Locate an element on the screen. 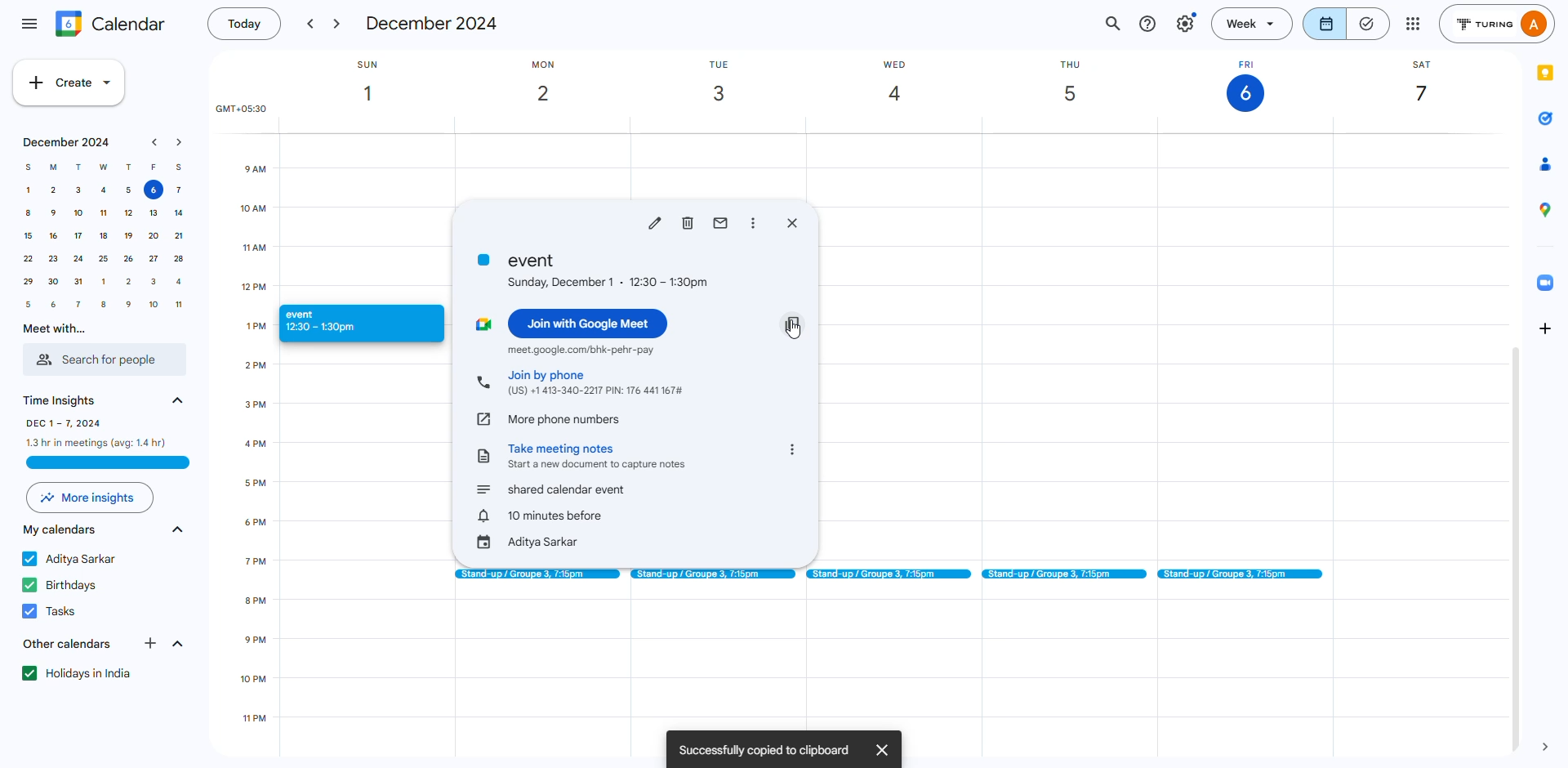 The height and width of the screenshot is (768, 1568). 25 is located at coordinates (103, 260).